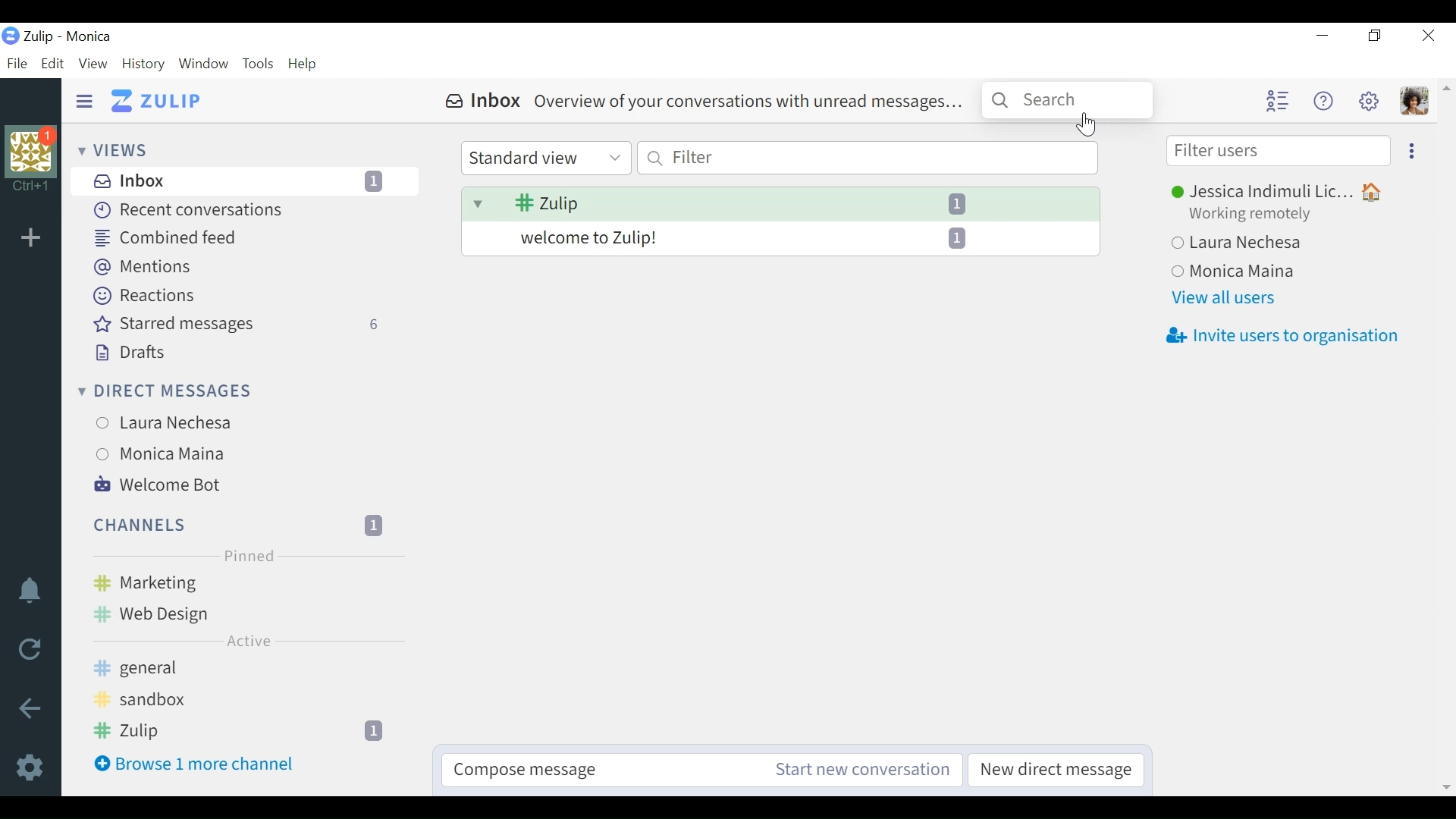 The height and width of the screenshot is (819, 1456). What do you see at coordinates (1260, 213) in the screenshot?
I see `Working remotely` at bounding box center [1260, 213].